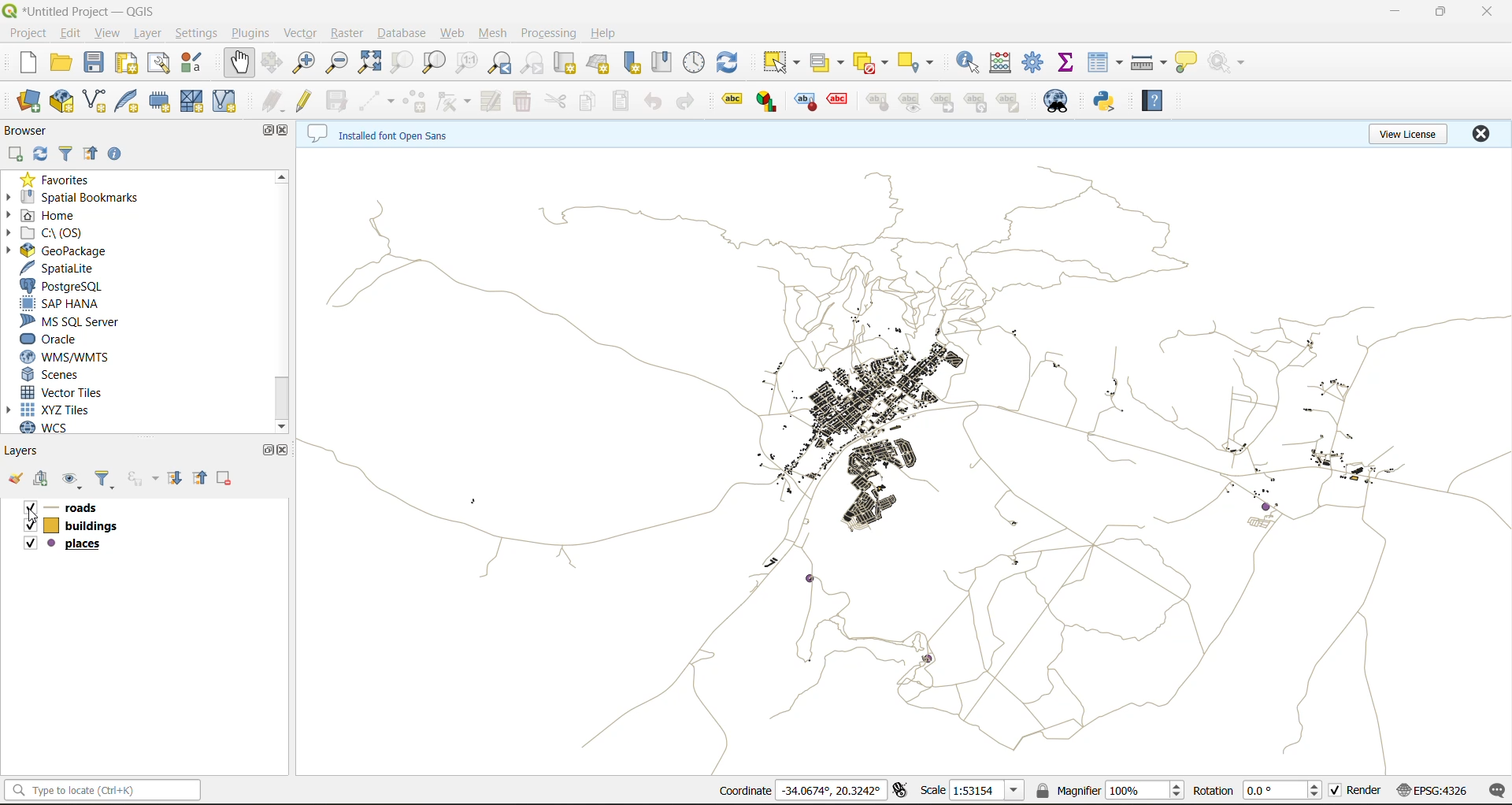 Image resolution: width=1512 pixels, height=805 pixels. I want to click on layers, so click(34, 453).